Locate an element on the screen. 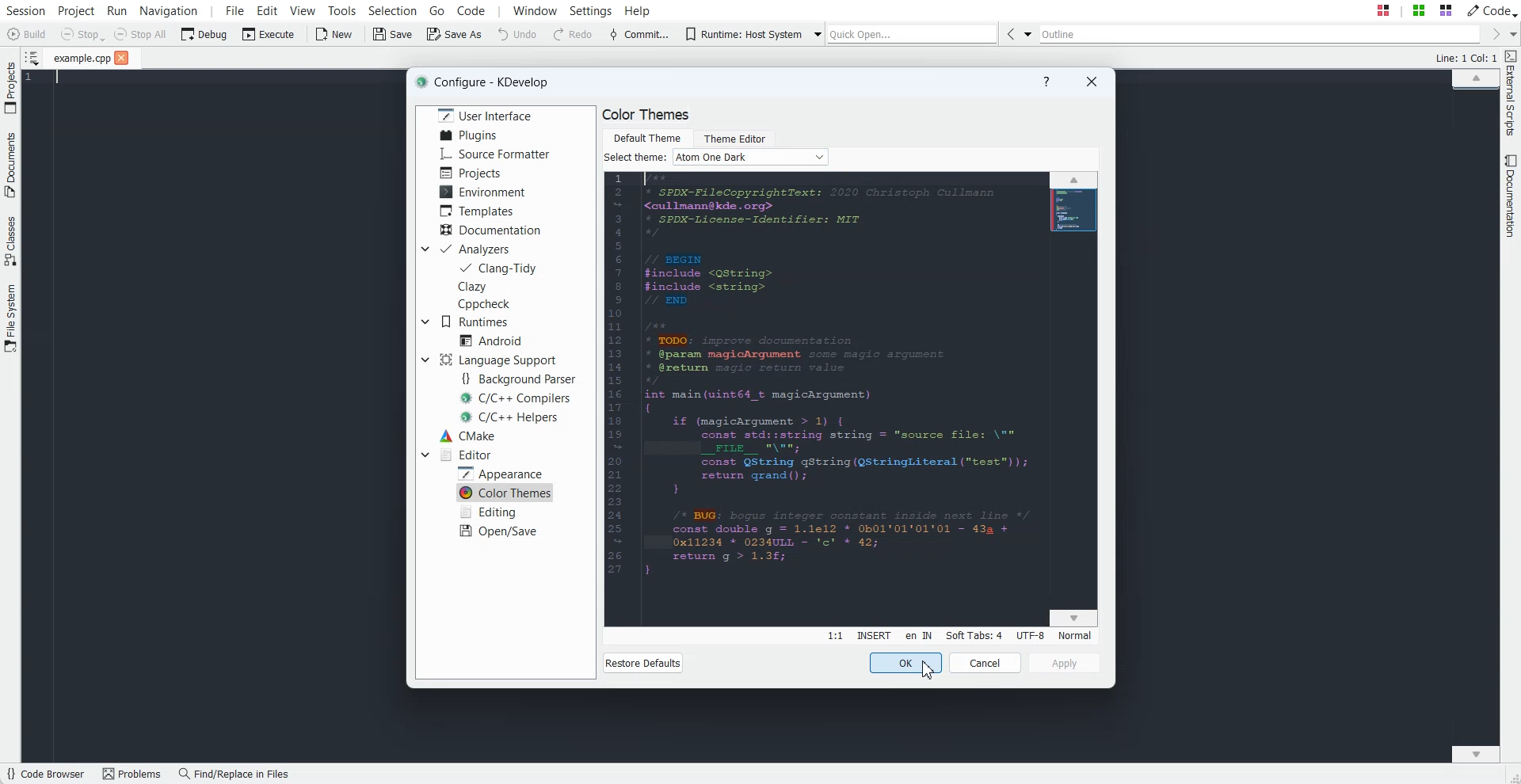  Runtime: Host System is located at coordinates (739, 34).